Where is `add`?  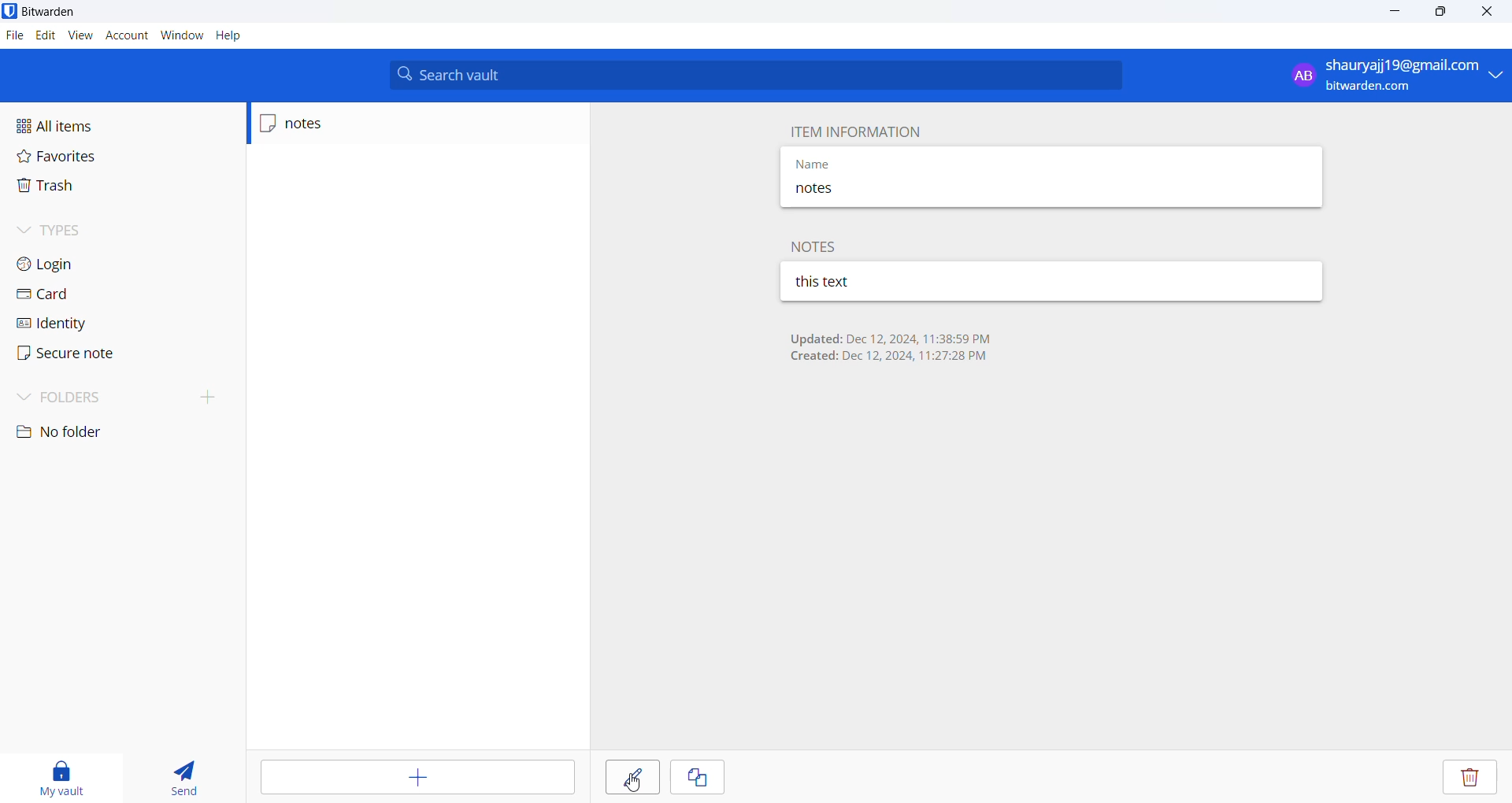 add is located at coordinates (420, 778).